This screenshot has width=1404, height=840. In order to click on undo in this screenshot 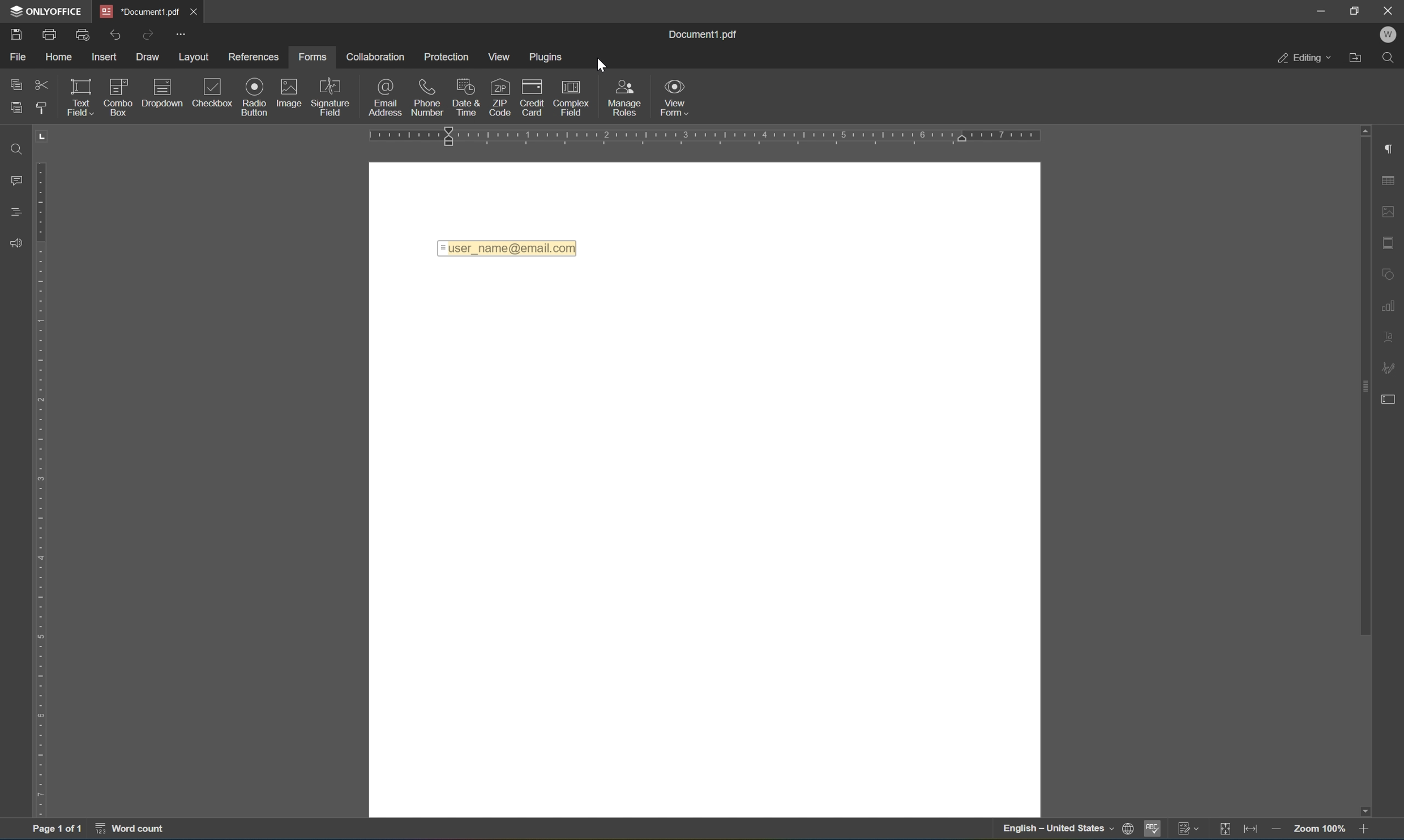, I will do `click(115, 35)`.